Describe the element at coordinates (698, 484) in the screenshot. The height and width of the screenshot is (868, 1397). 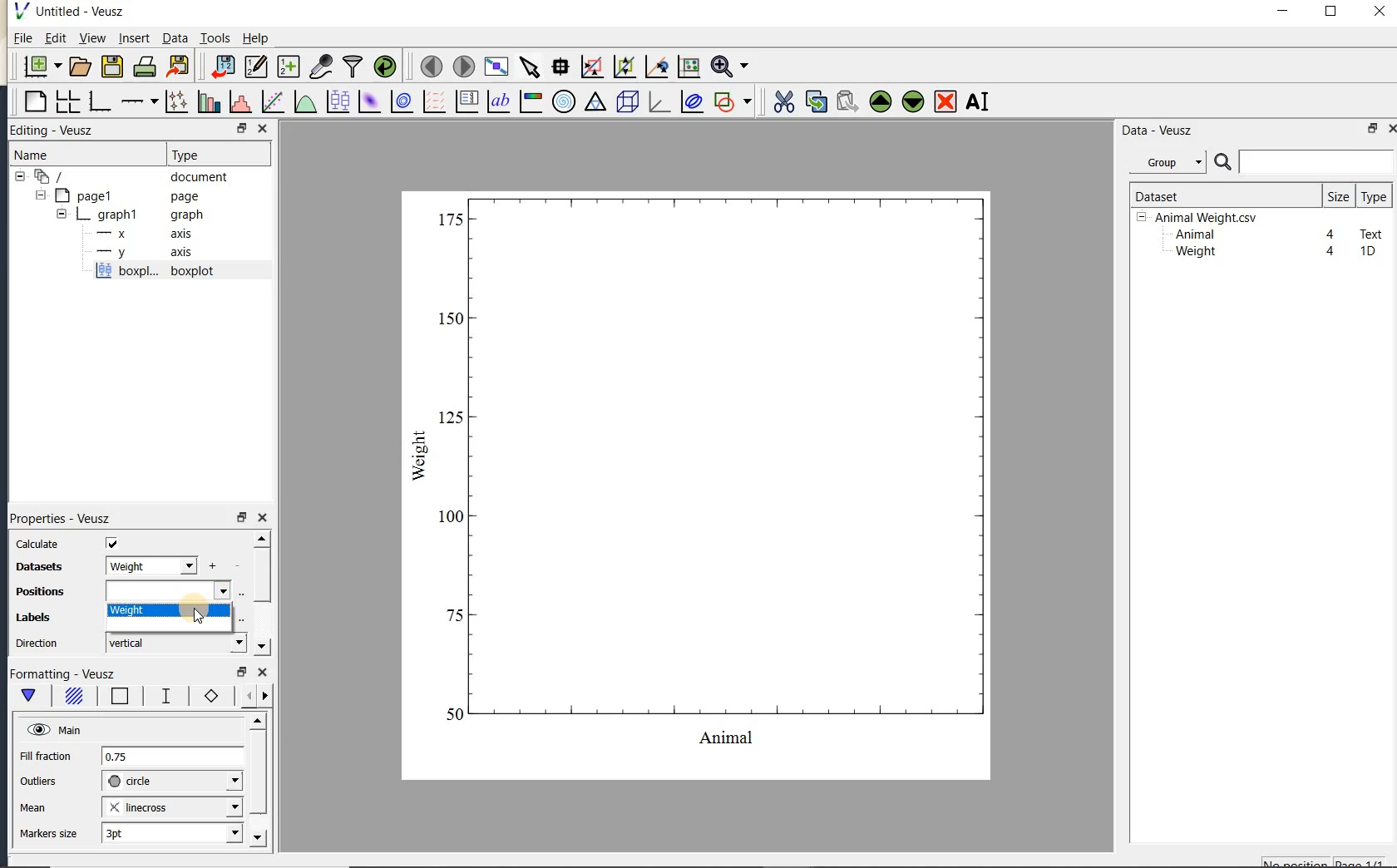
I see `box plot` at that location.